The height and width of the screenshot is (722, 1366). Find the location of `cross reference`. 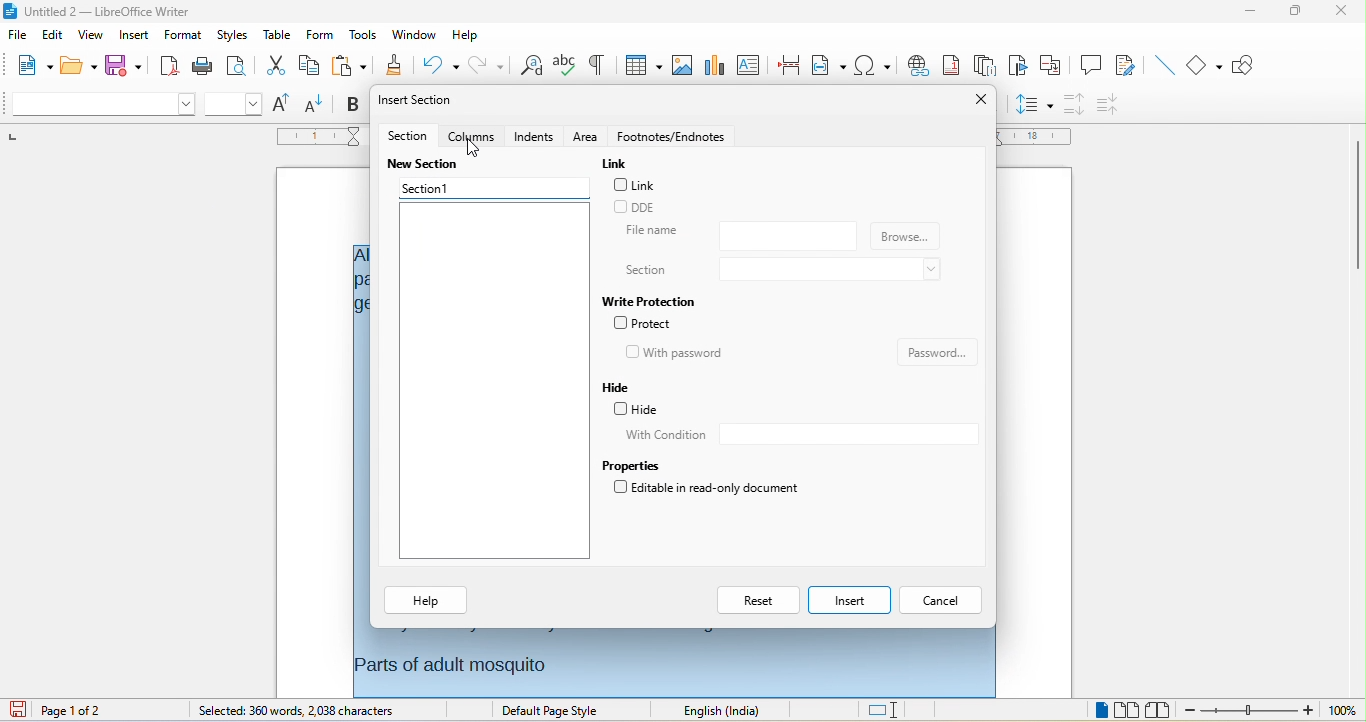

cross reference is located at coordinates (1051, 65).